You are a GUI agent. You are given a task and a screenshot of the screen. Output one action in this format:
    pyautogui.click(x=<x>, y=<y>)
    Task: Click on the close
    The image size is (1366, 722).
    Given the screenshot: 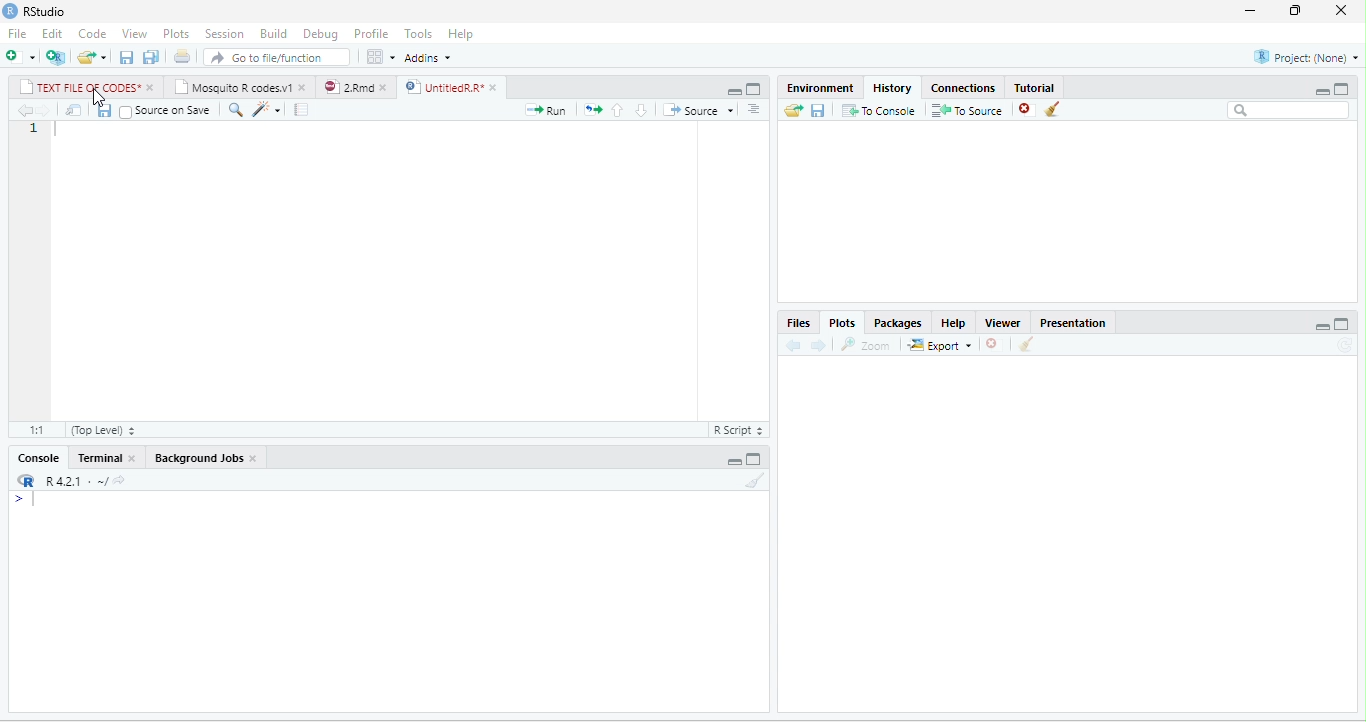 What is the action you would take?
    pyautogui.click(x=254, y=459)
    